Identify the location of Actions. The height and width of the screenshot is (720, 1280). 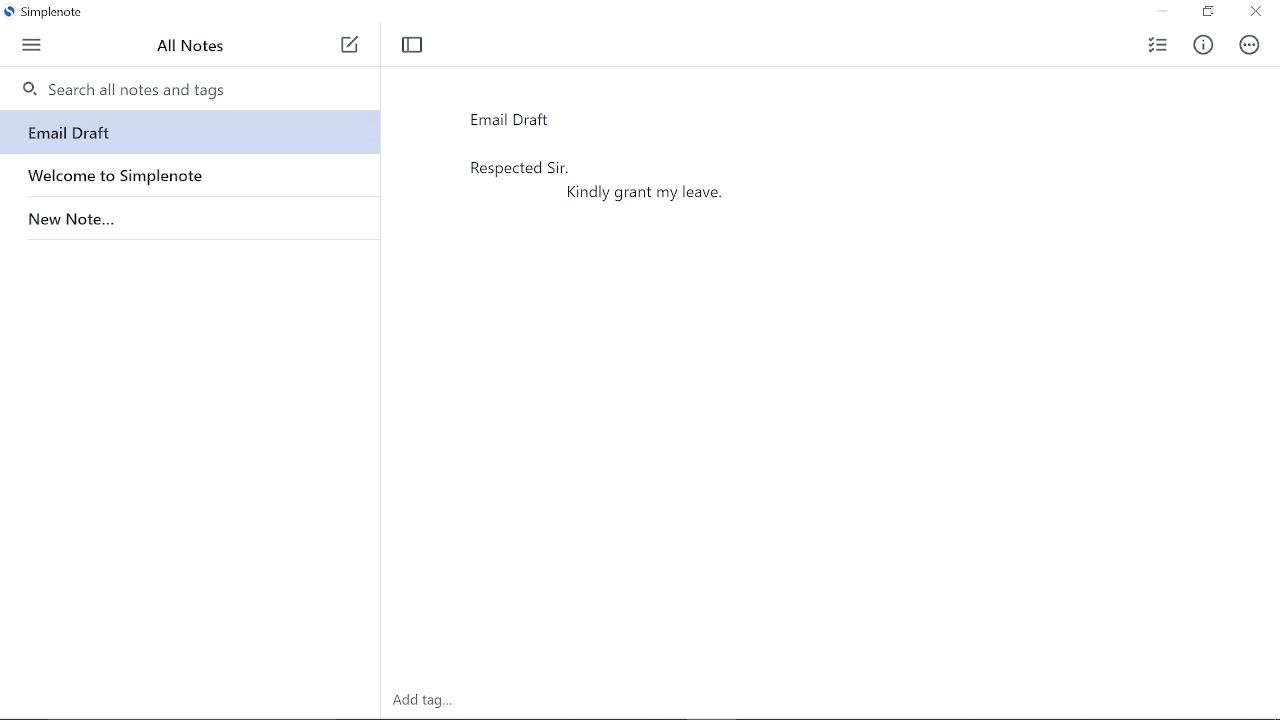
(1248, 46).